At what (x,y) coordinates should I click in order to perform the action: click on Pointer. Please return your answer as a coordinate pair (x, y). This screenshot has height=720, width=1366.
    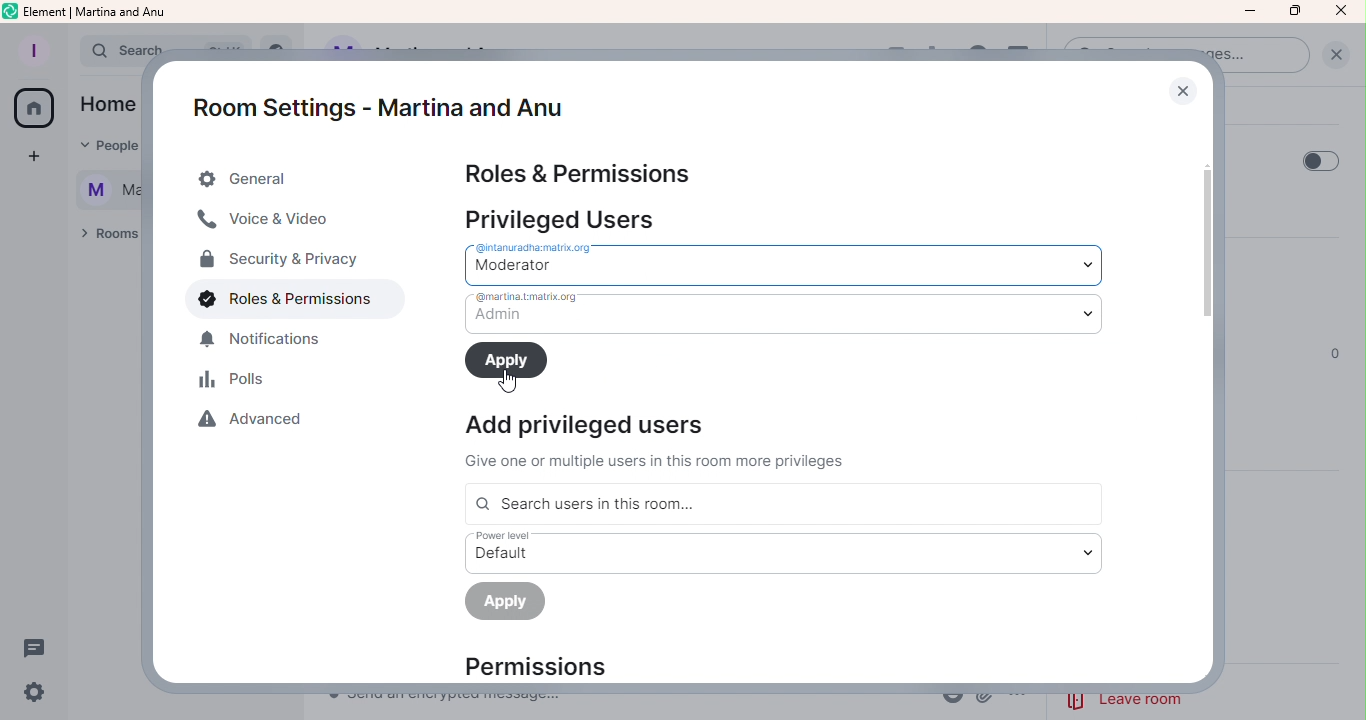
    Looking at the image, I should click on (505, 382).